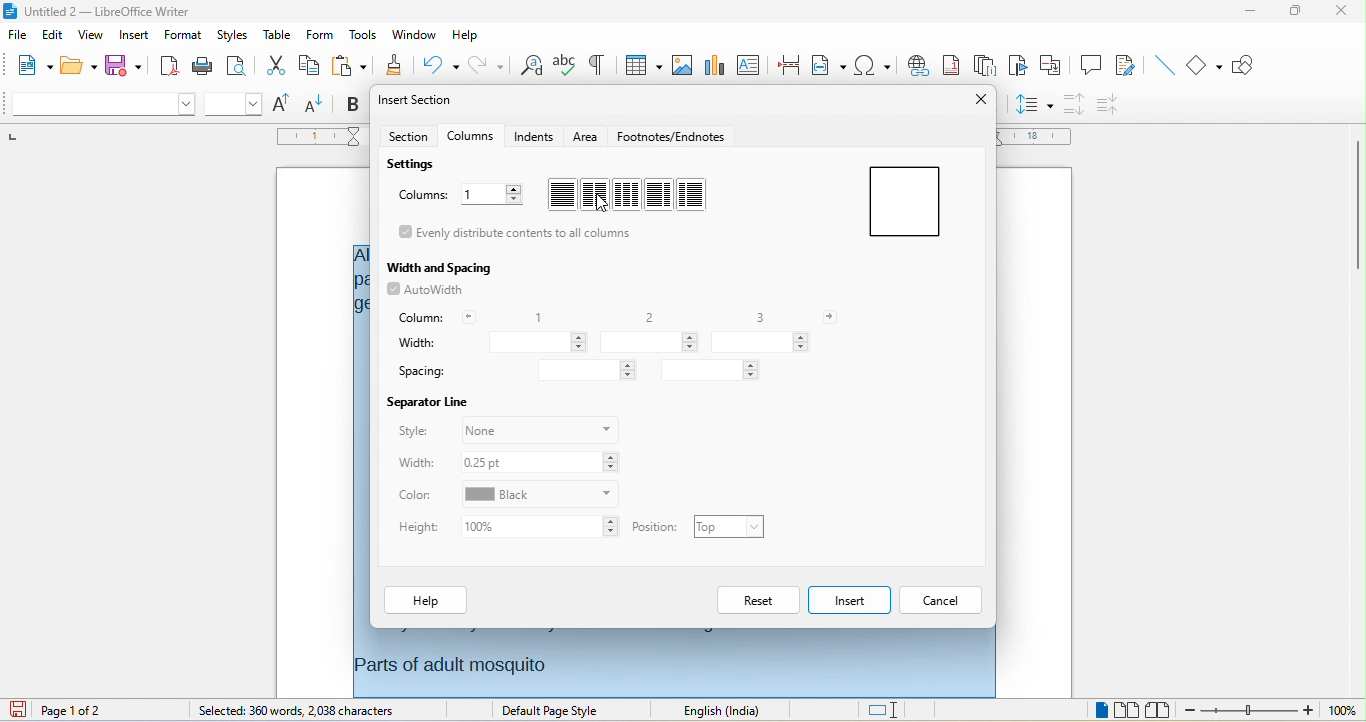  Describe the element at coordinates (1034, 106) in the screenshot. I see `set line spacing` at that location.